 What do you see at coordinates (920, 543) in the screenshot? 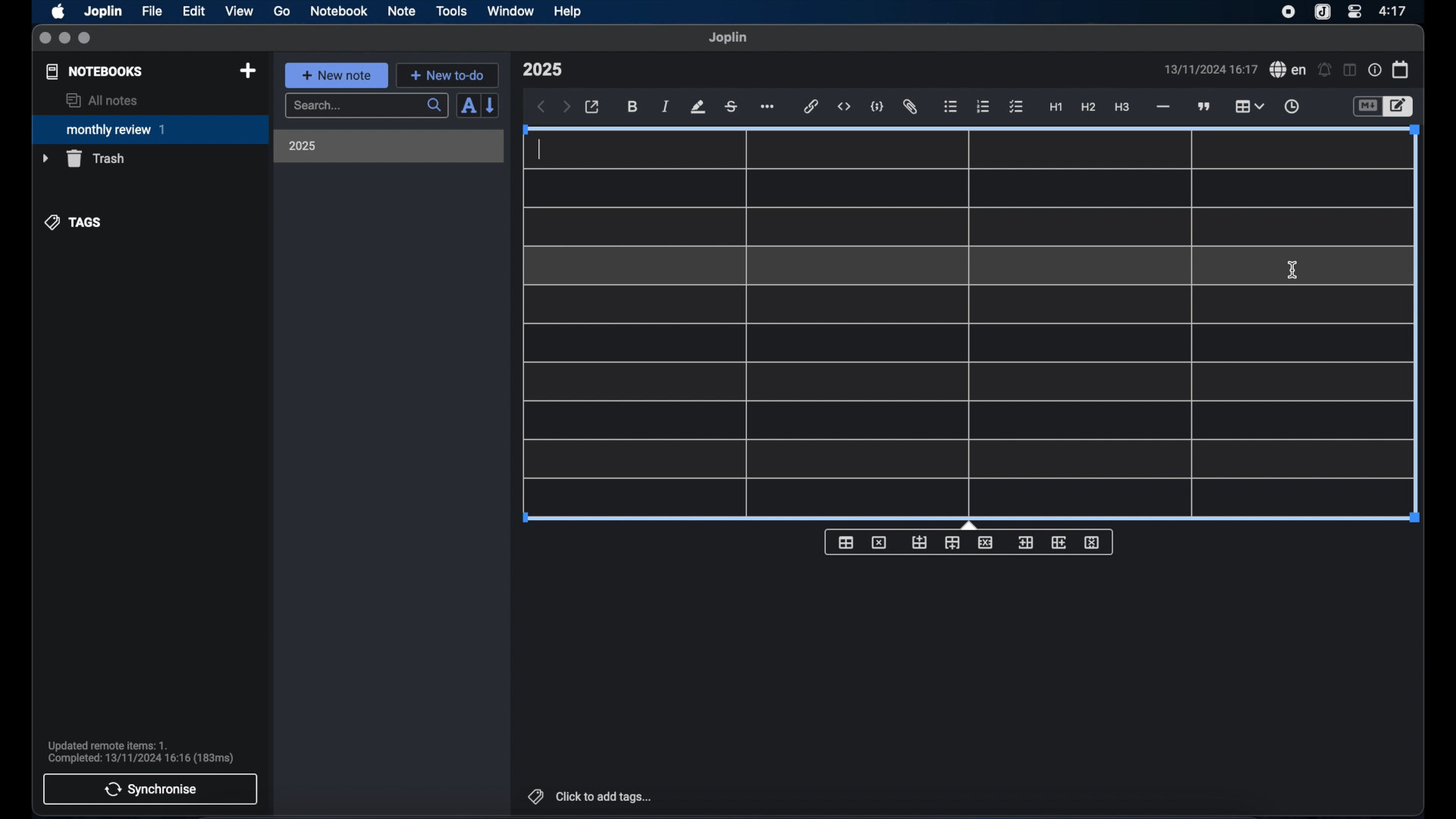
I see `insert row before` at bounding box center [920, 543].